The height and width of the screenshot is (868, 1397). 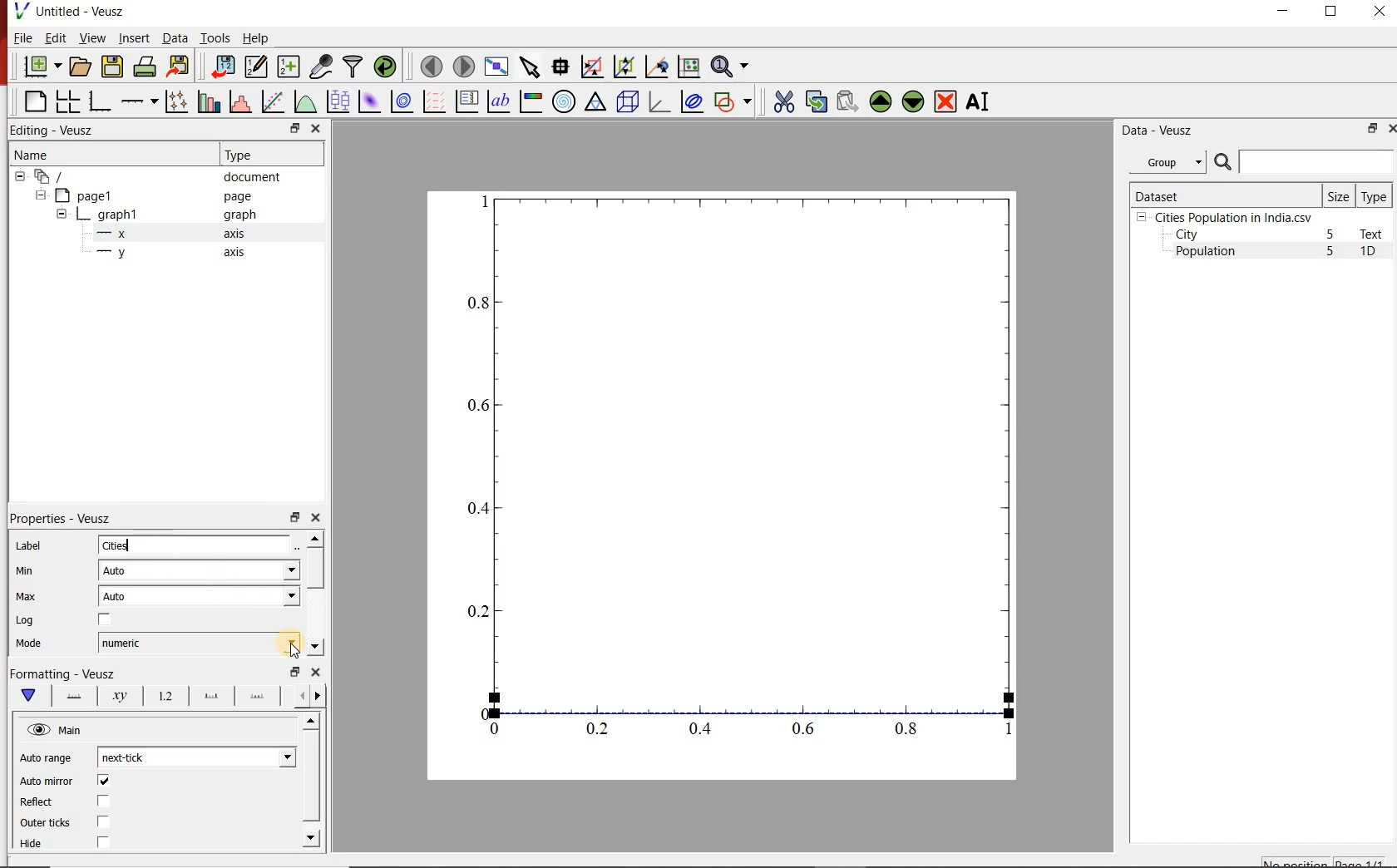 I want to click on 3d scene, so click(x=626, y=101).